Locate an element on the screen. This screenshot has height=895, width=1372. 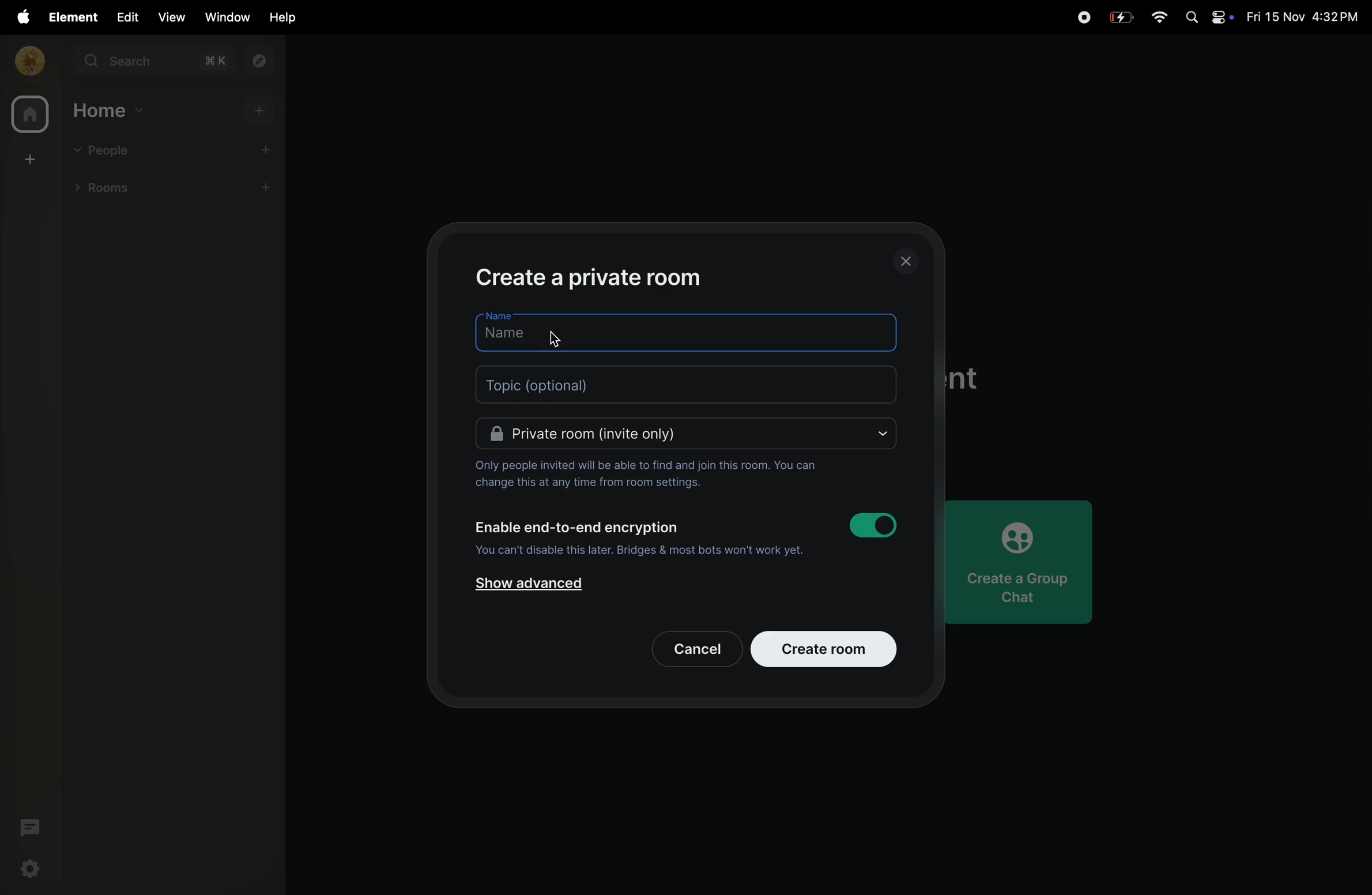
create room is located at coordinates (28, 160).